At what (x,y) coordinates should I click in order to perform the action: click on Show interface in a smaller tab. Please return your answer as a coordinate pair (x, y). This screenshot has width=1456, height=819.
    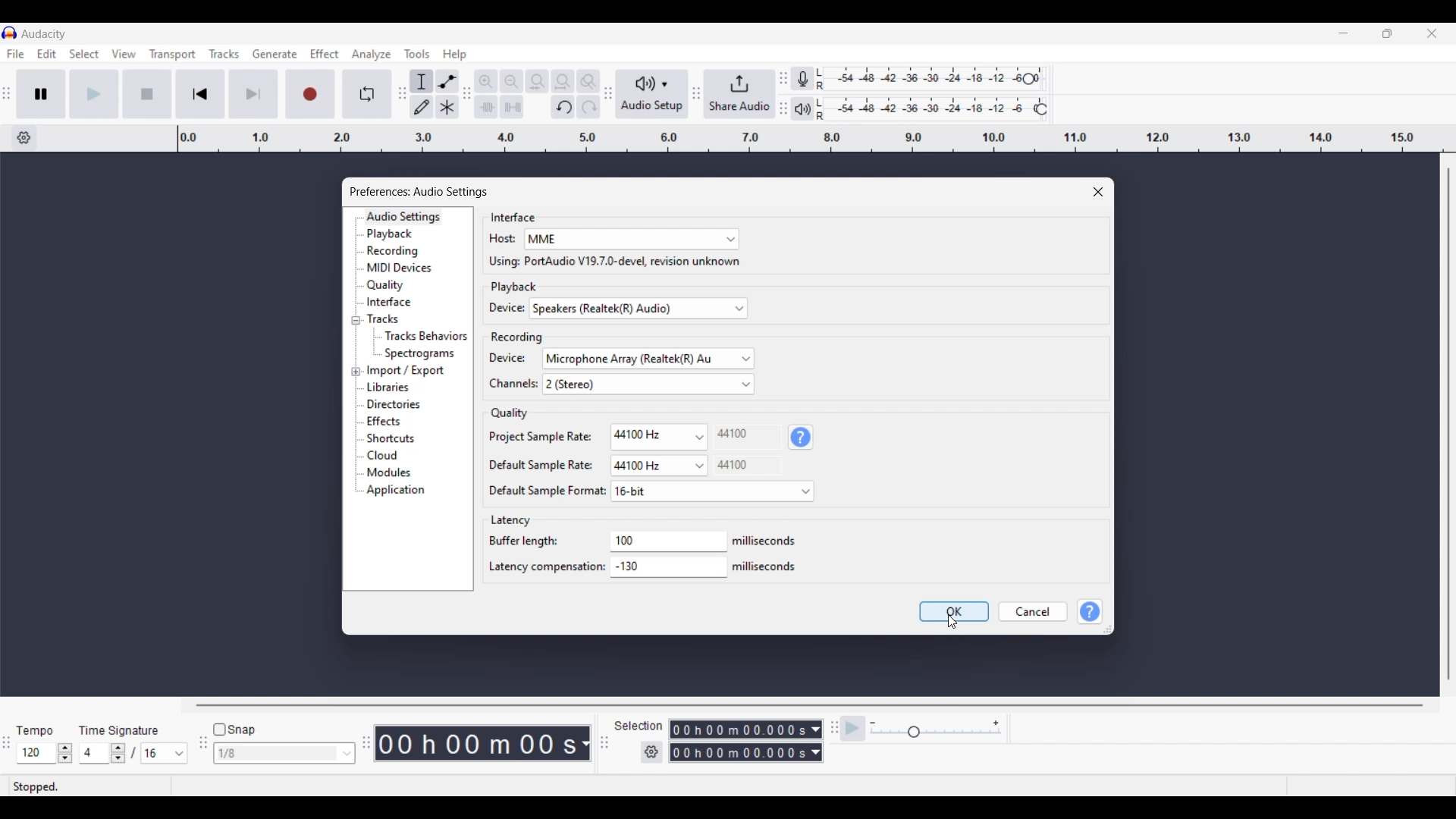
    Looking at the image, I should click on (1387, 33).